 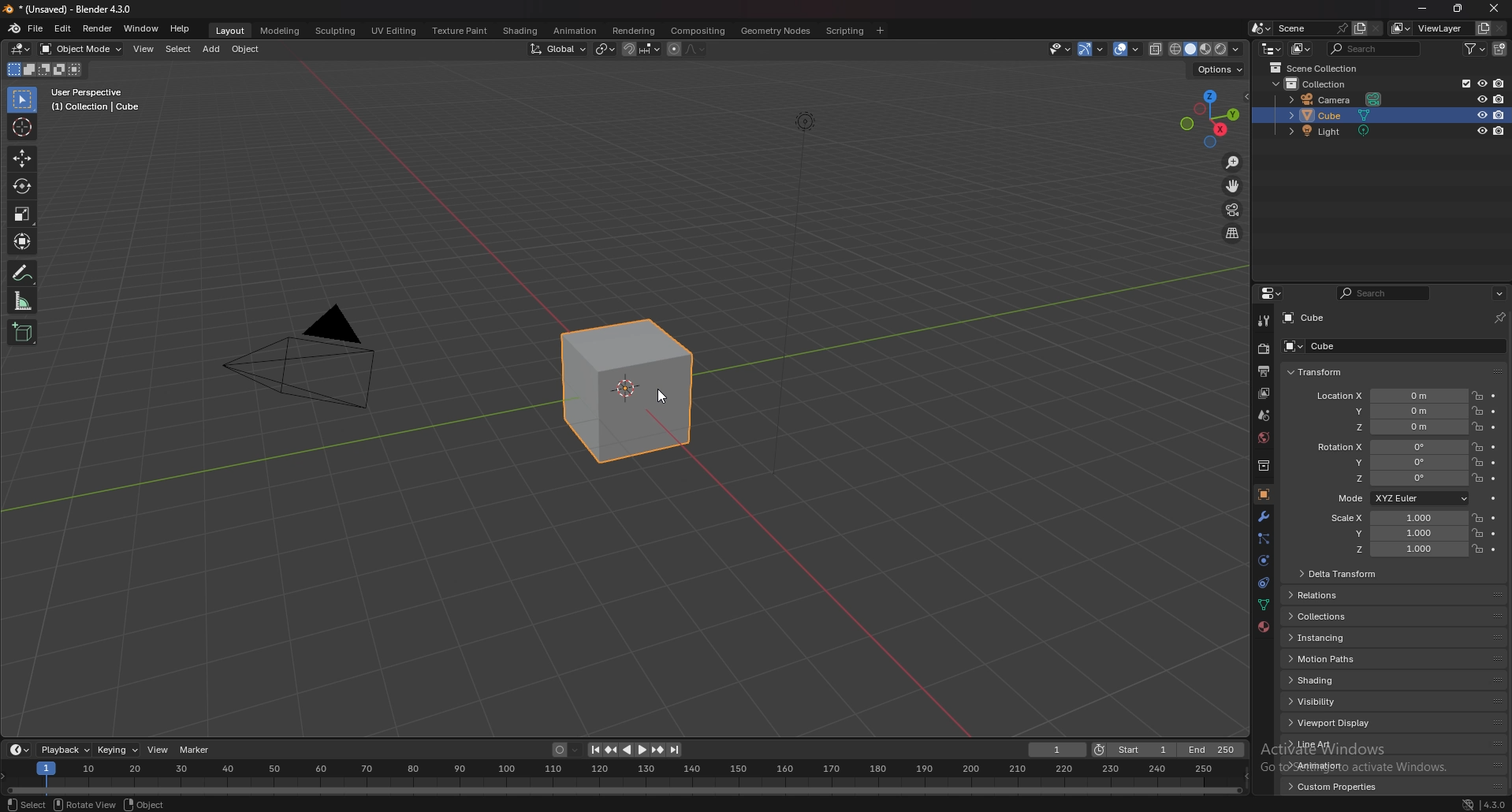 I want to click on lock location, so click(x=1477, y=549).